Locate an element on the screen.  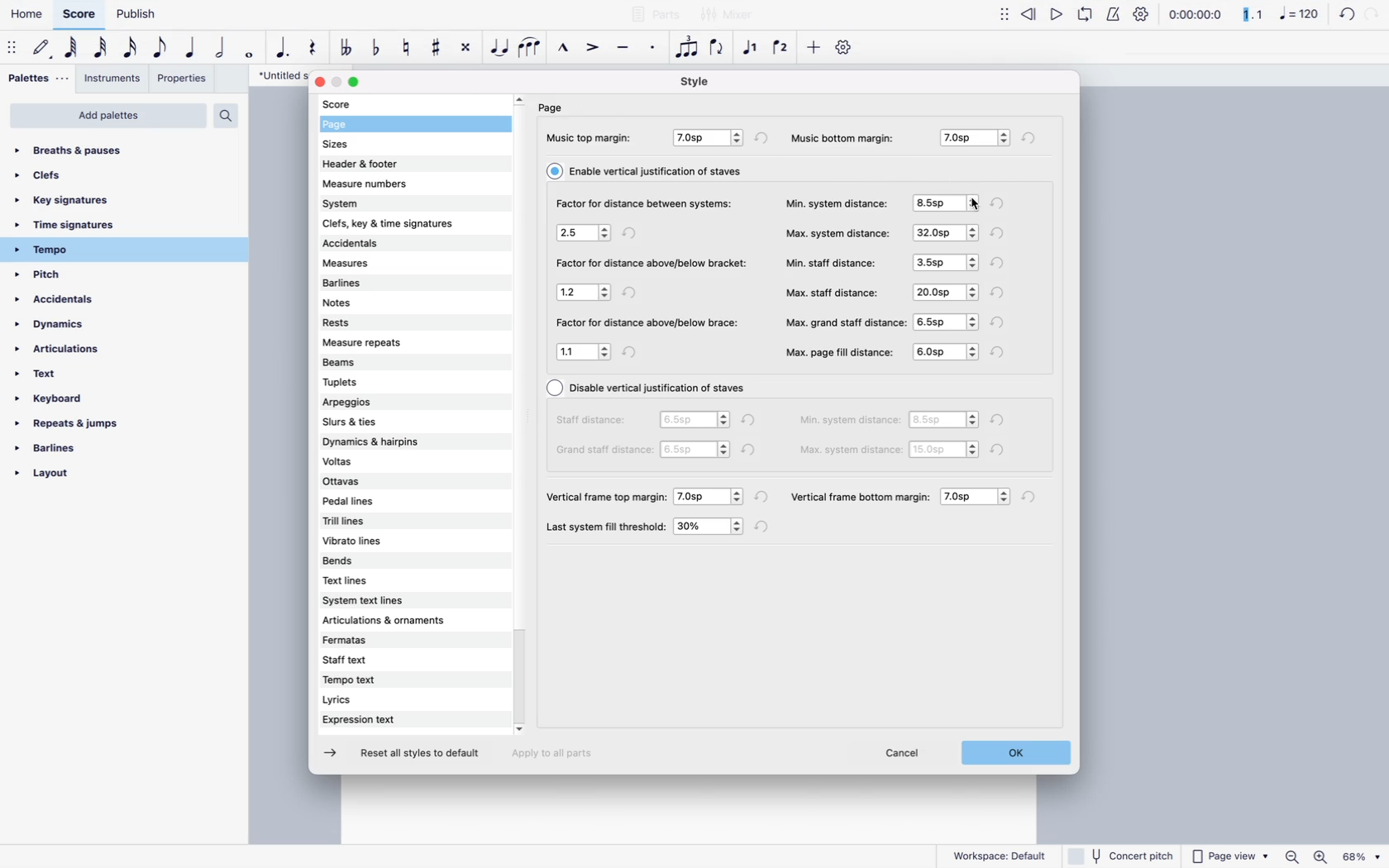
notes is located at coordinates (375, 303).